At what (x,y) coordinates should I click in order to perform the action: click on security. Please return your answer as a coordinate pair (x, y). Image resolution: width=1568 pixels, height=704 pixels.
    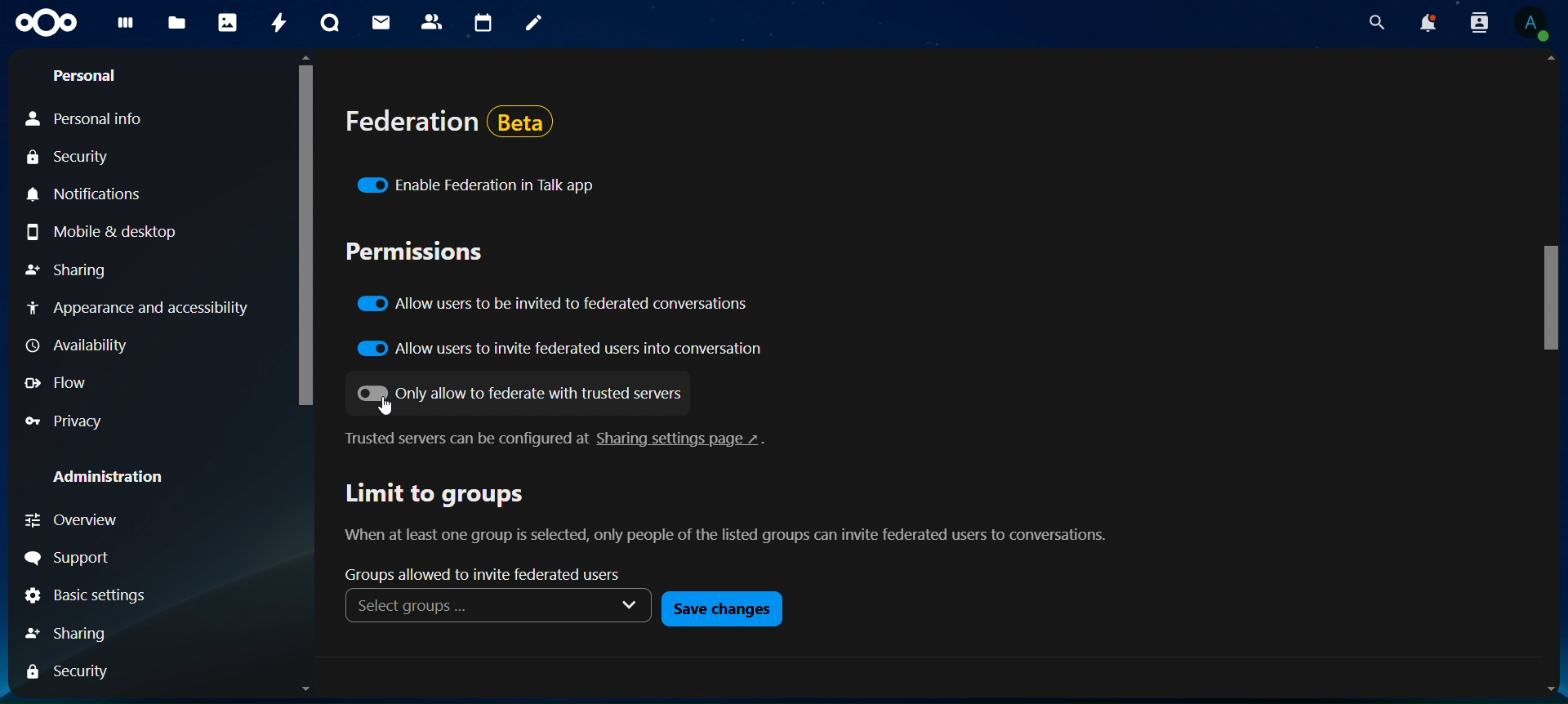
    Looking at the image, I should click on (69, 676).